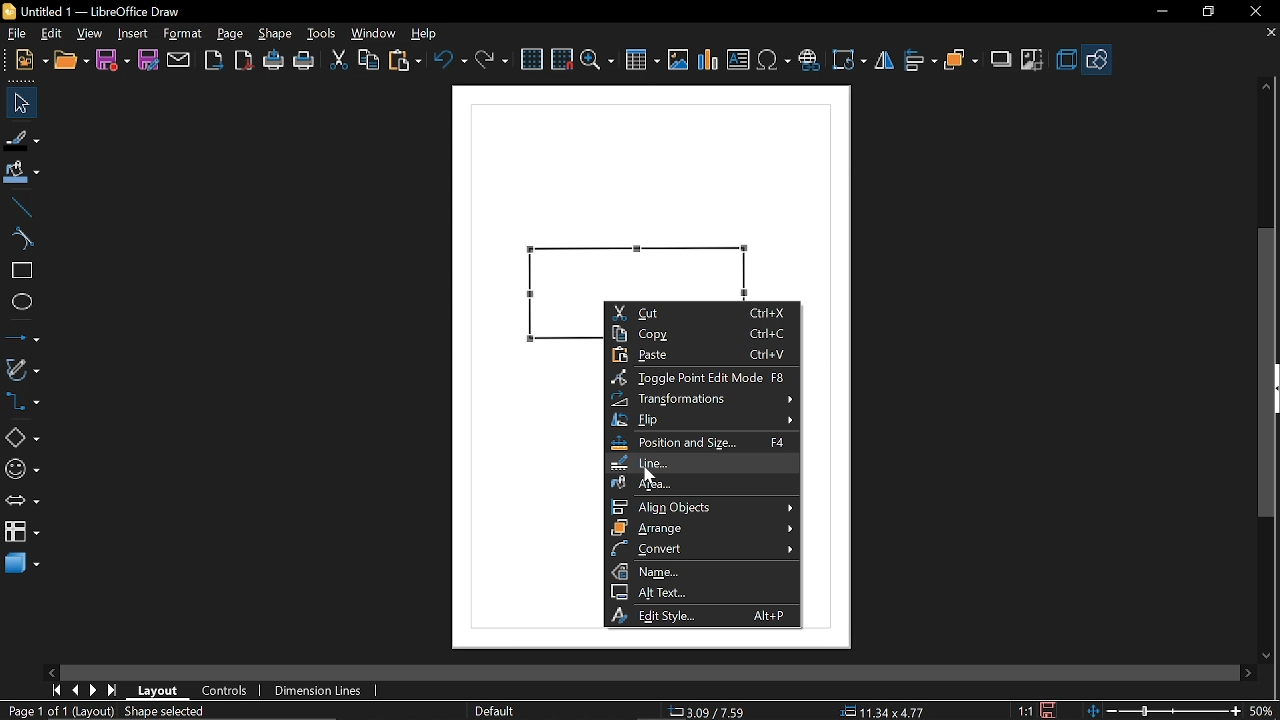  I want to click on change zoom, so click(1162, 711).